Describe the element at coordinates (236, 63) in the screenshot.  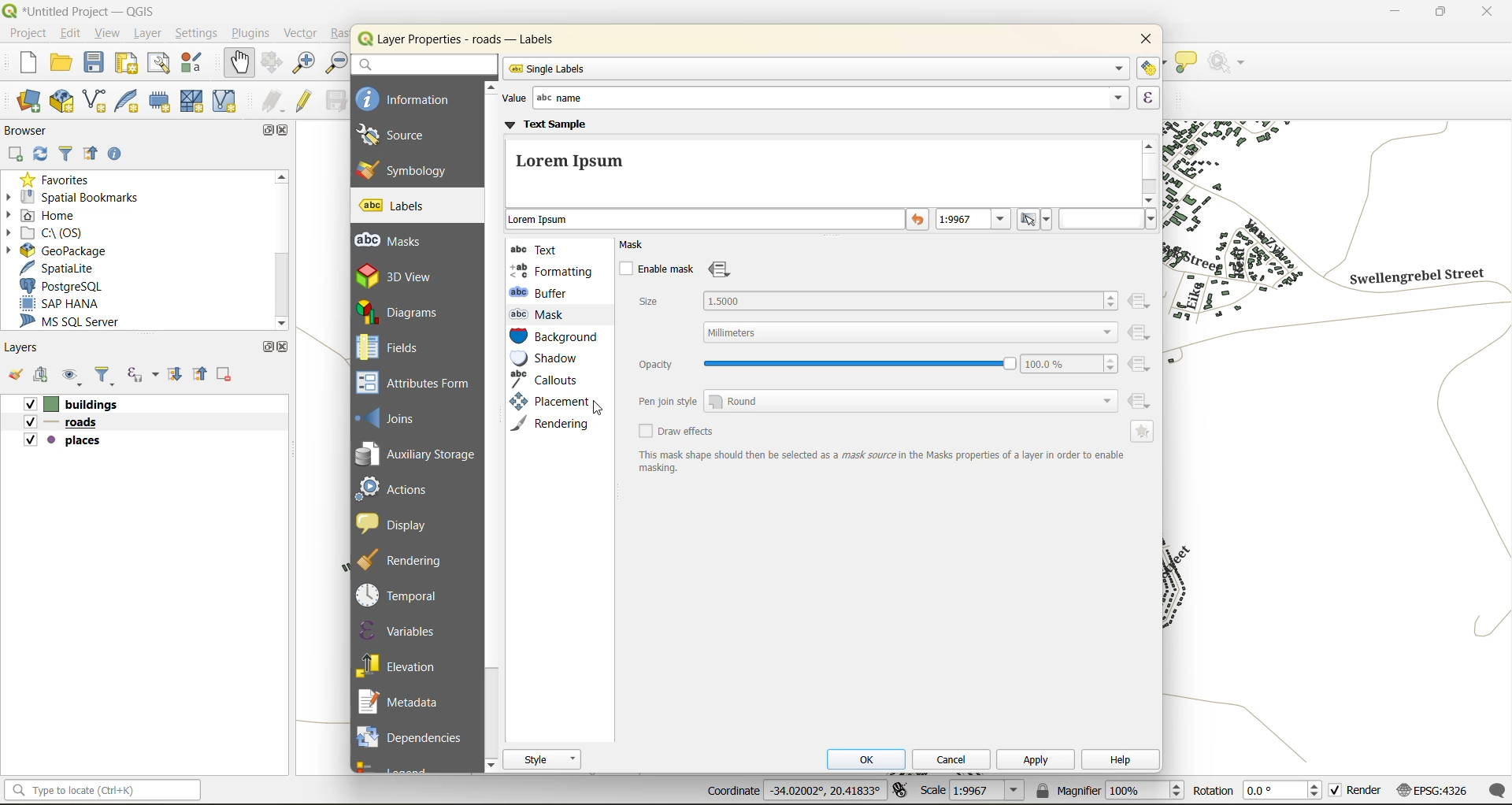
I see `pan map` at that location.